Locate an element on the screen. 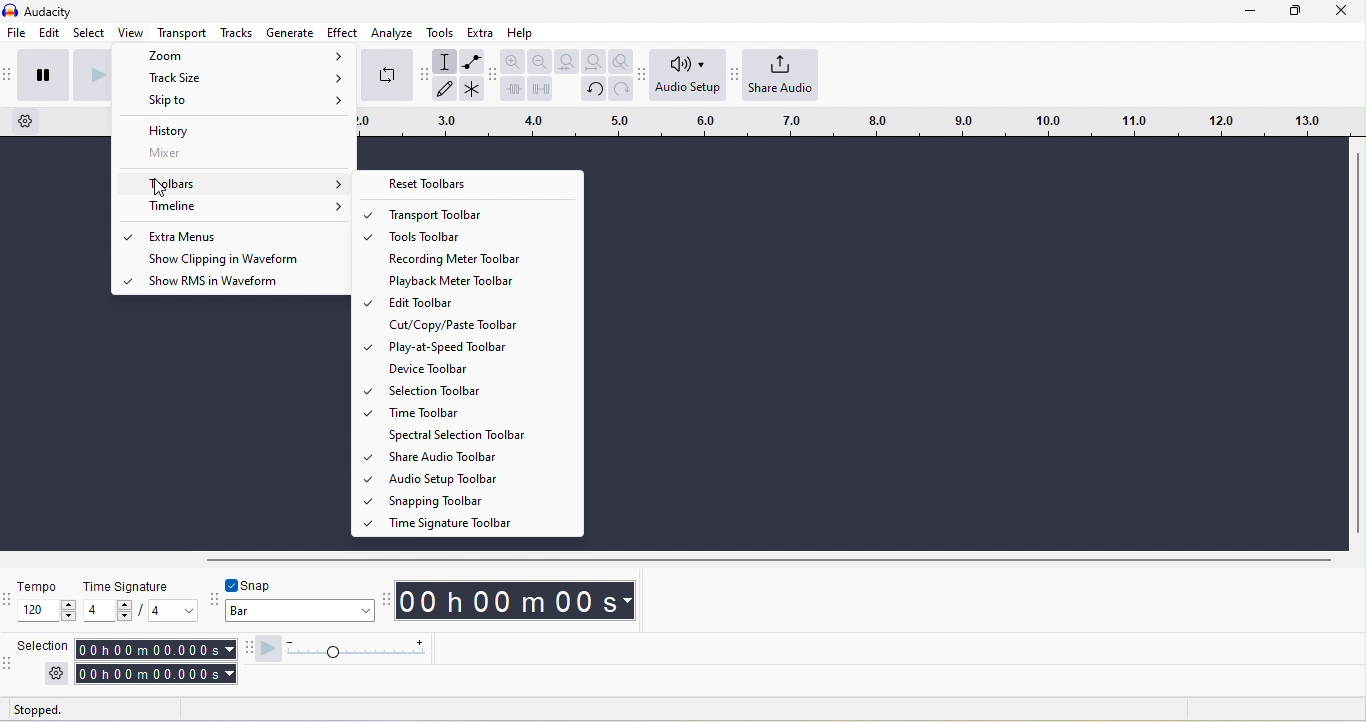  audacity transport toolbar is located at coordinates (9, 76).